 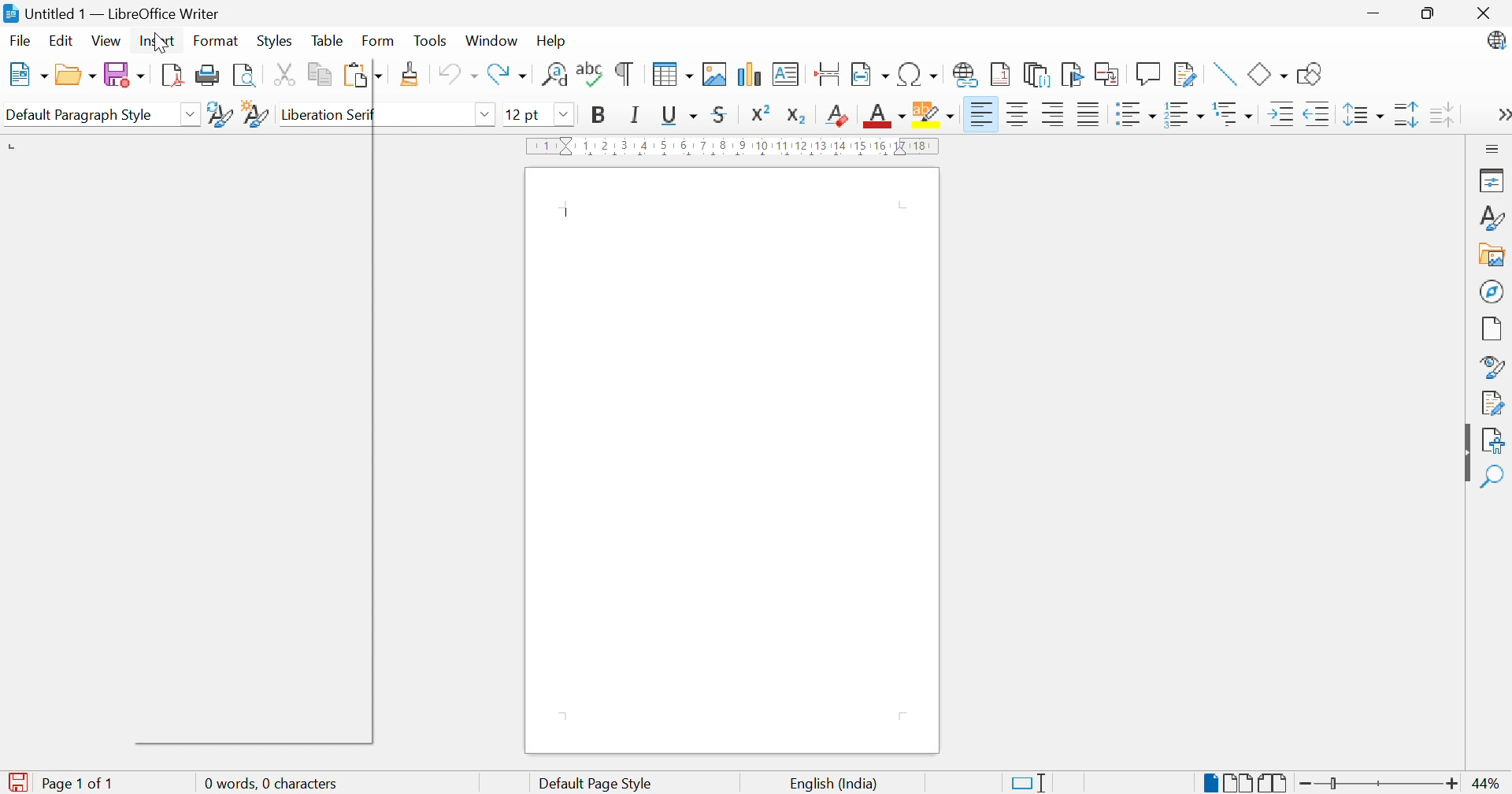 I want to click on Single-page view, so click(x=1213, y=782).